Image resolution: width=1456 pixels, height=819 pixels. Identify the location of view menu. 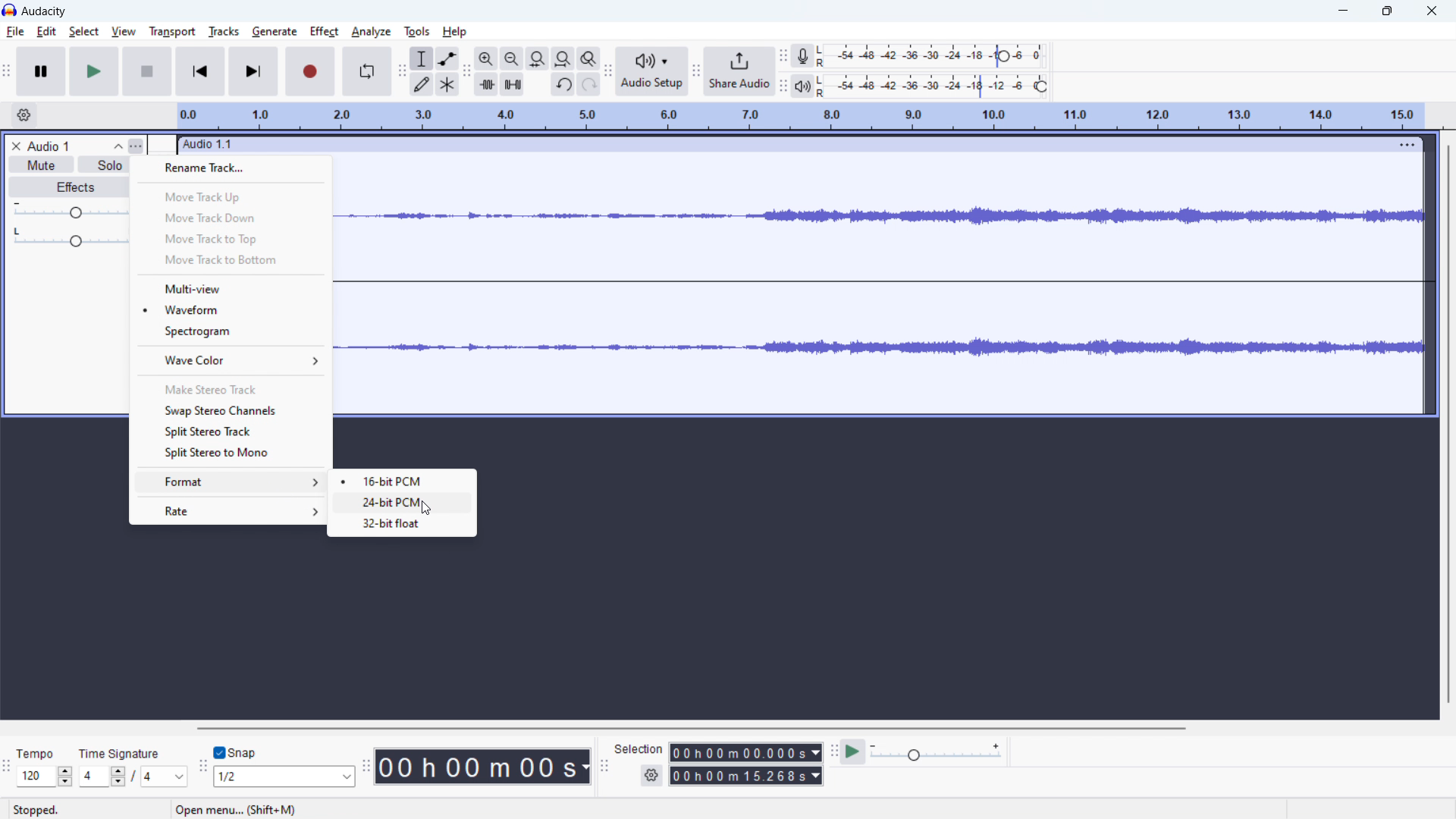
(136, 146).